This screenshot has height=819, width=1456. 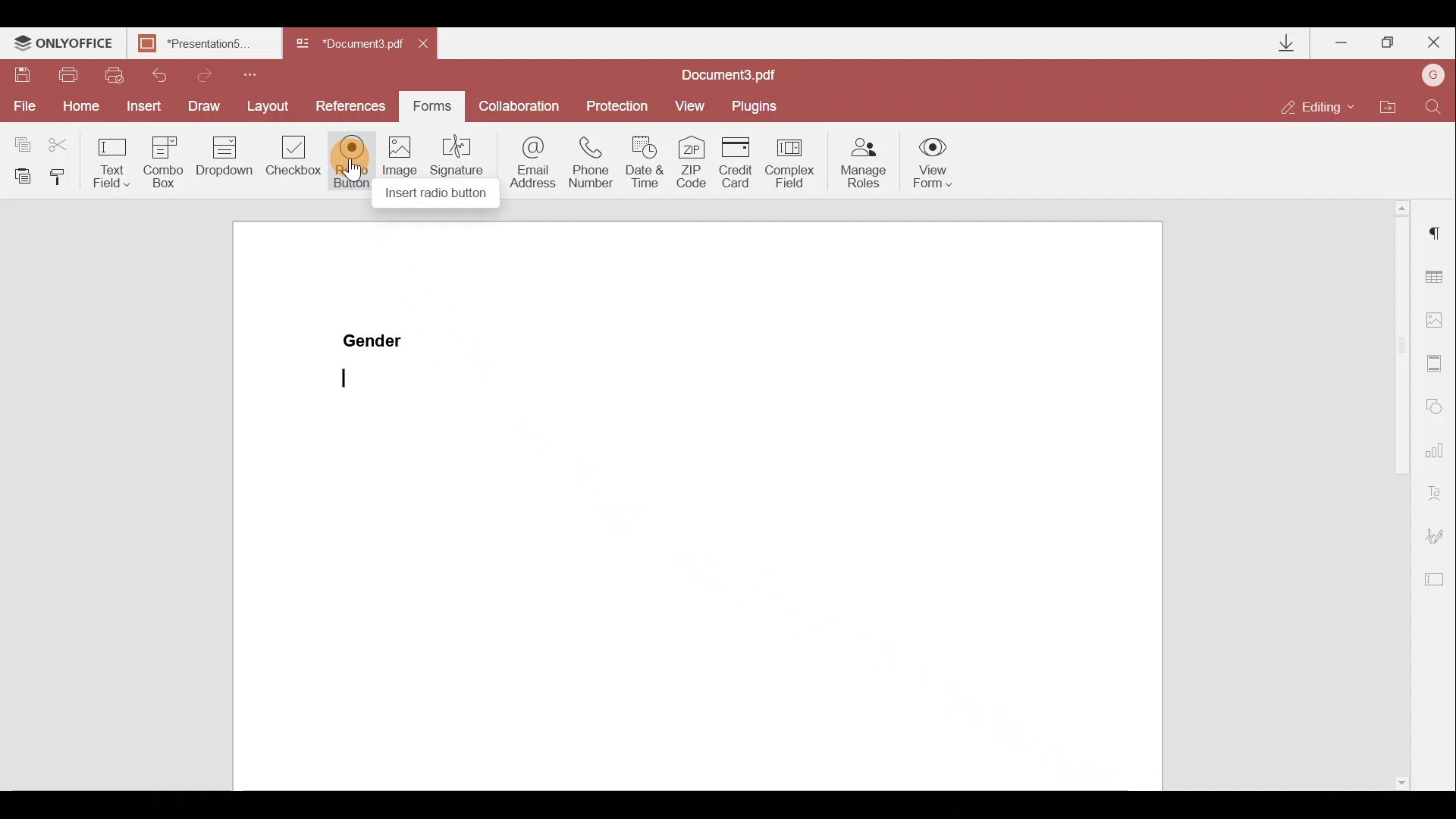 What do you see at coordinates (1442, 321) in the screenshot?
I see `Image settings` at bounding box center [1442, 321].